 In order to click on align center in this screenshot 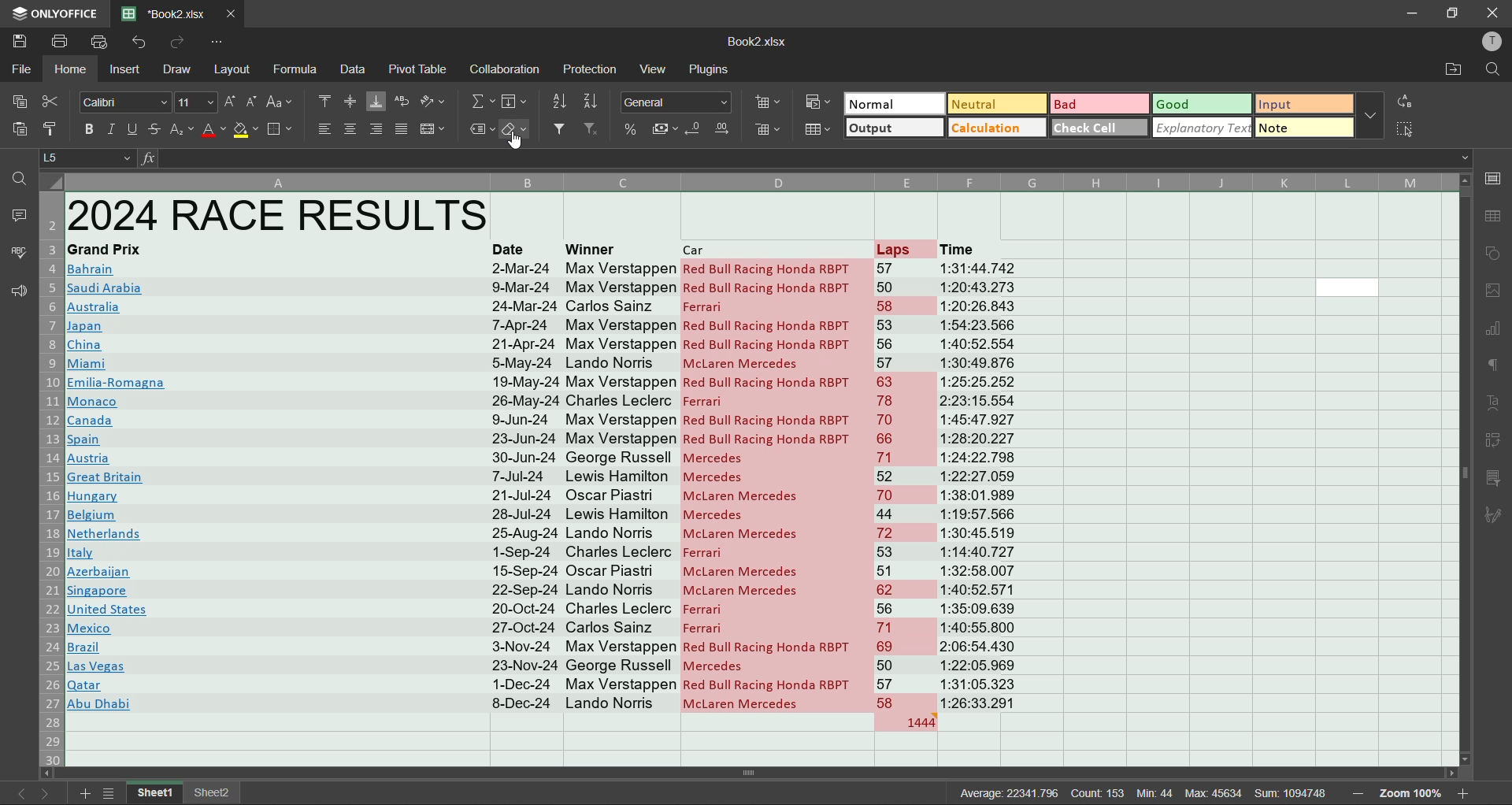, I will do `click(353, 130)`.